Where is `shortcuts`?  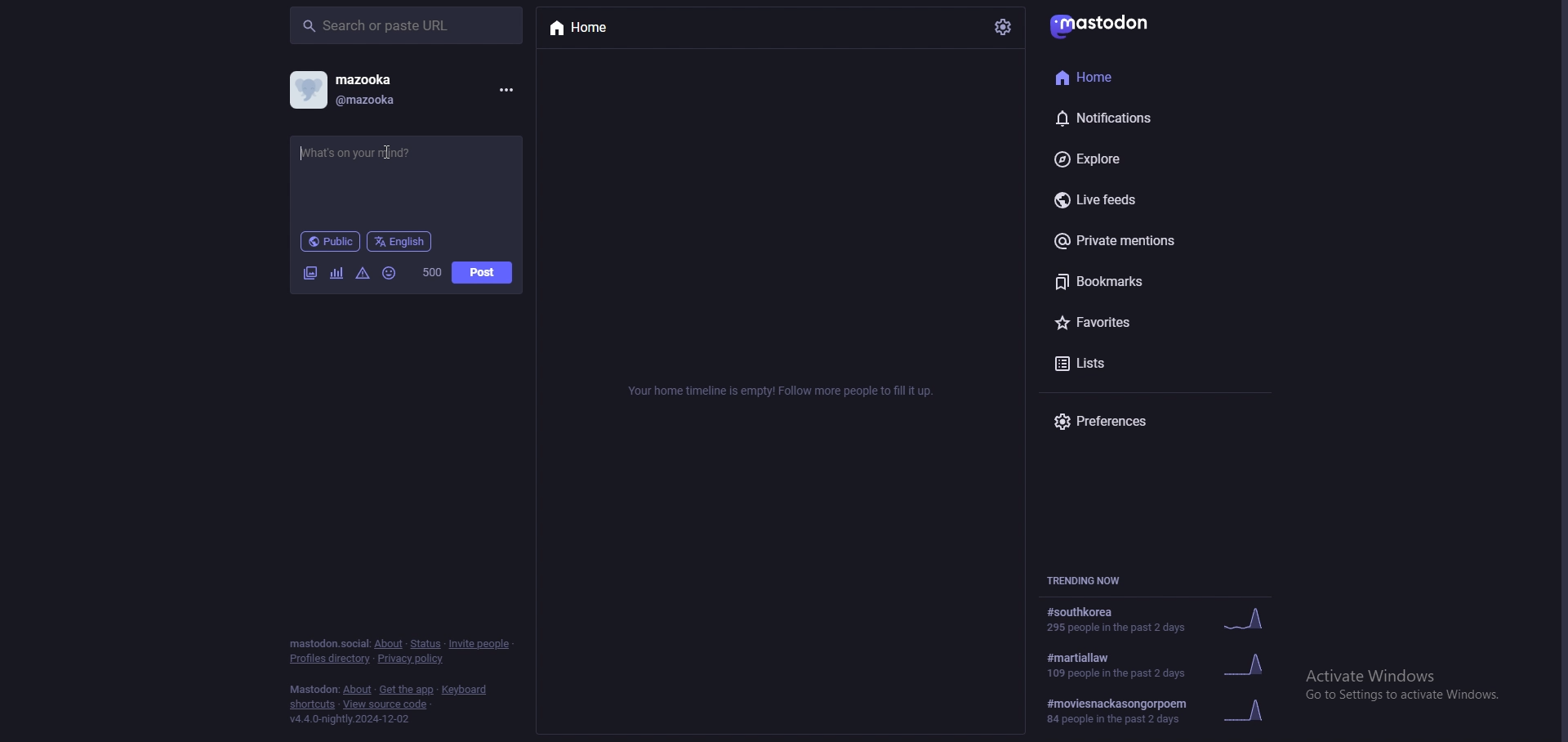
shortcuts is located at coordinates (310, 705).